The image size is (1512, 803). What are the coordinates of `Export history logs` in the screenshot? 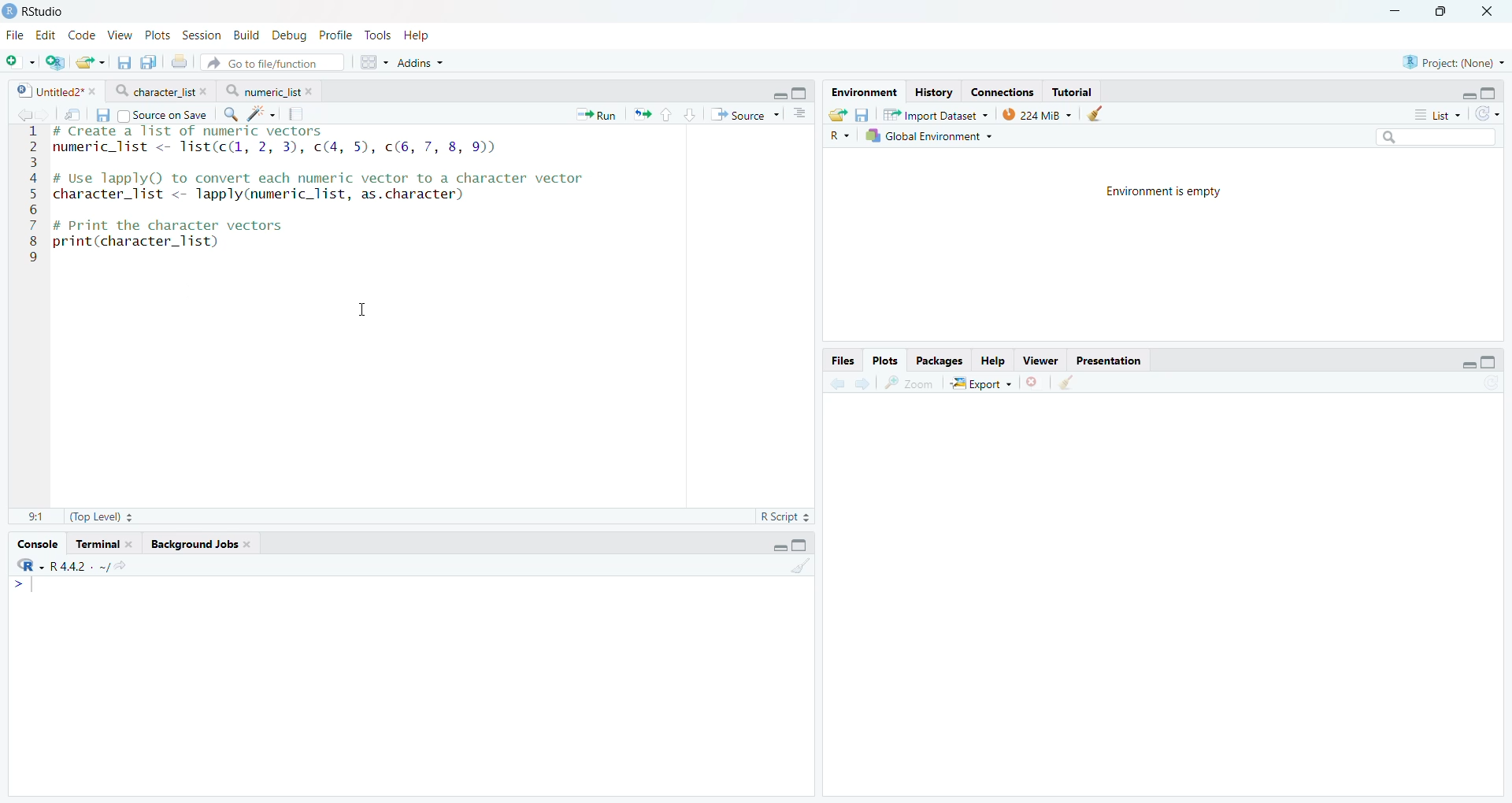 It's located at (836, 113).